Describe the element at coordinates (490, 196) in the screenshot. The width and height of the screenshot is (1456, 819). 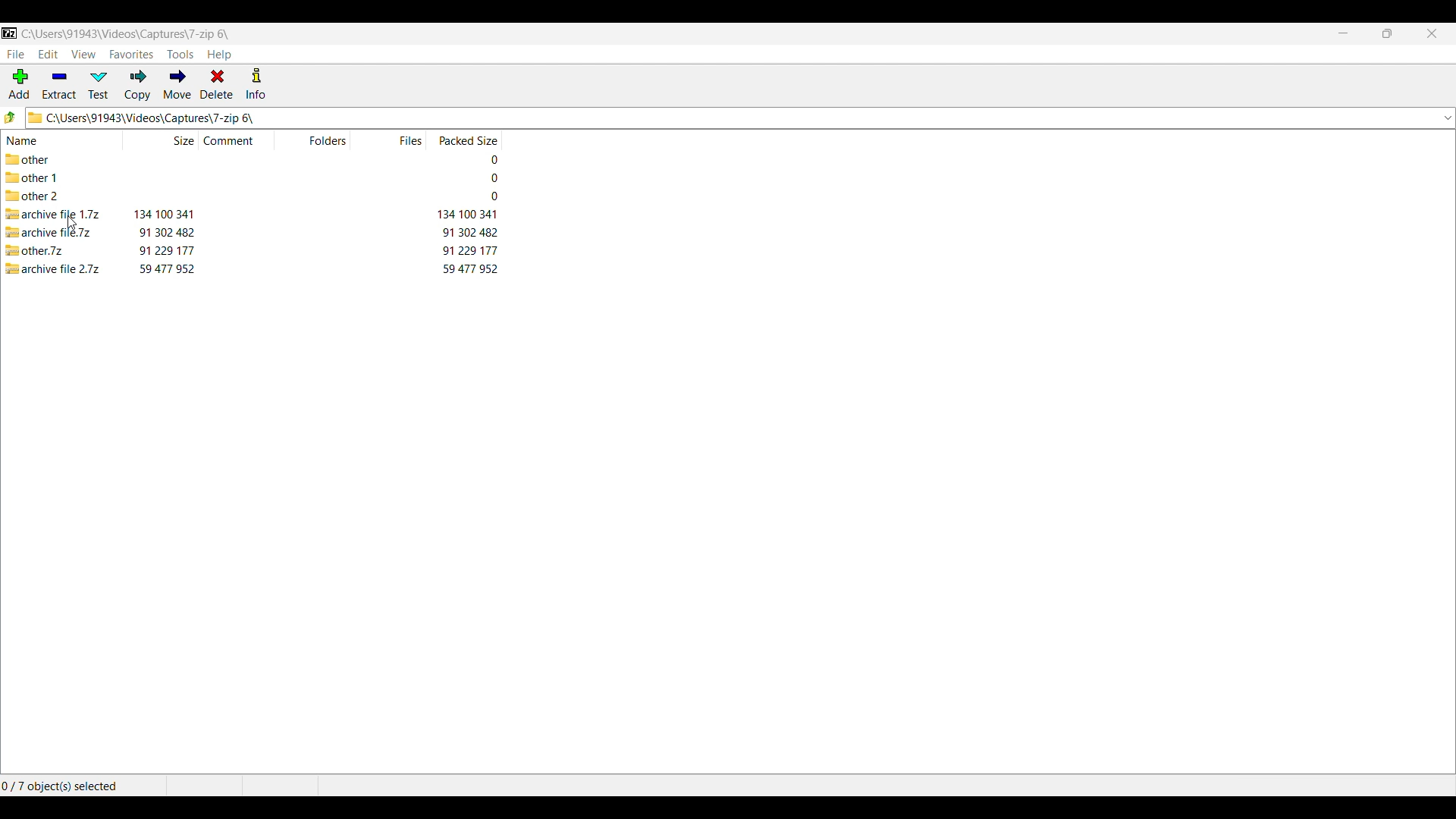
I see `packed size` at that location.